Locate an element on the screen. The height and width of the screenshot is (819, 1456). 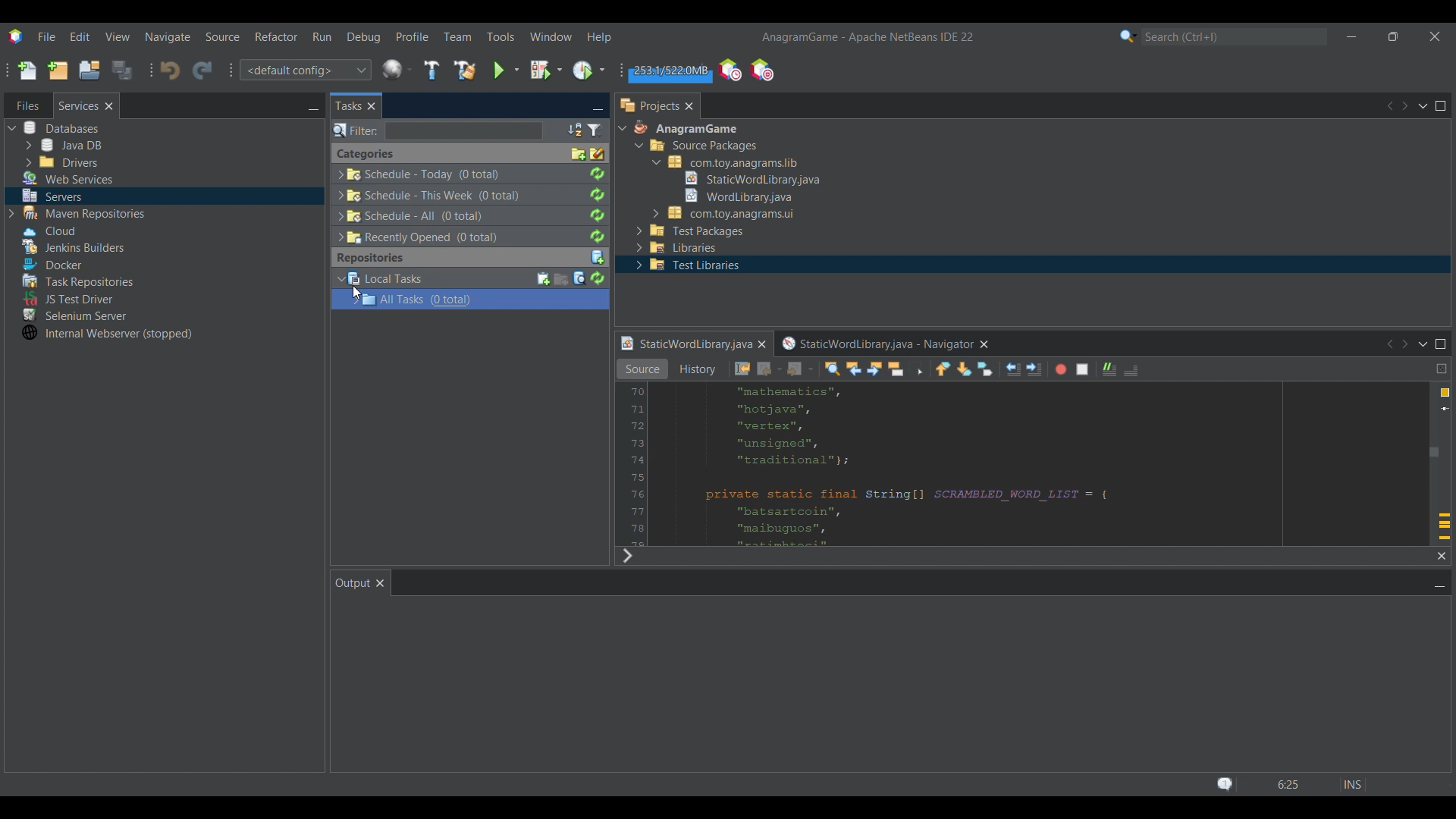
Default configuration options is located at coordinates (305, 70).